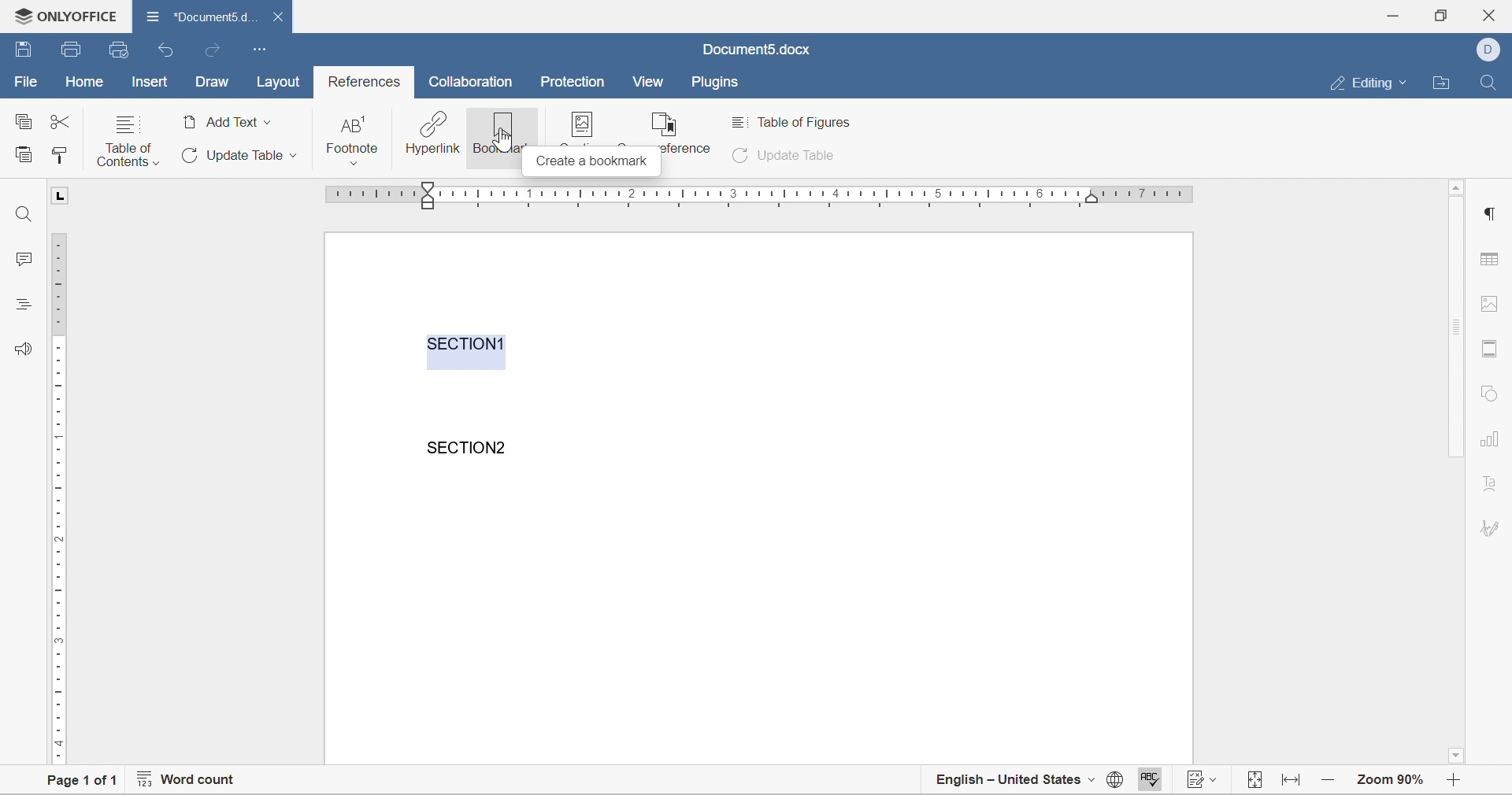 This screenshot has height=795, width=1512. I want to click on , so click(502, 147).